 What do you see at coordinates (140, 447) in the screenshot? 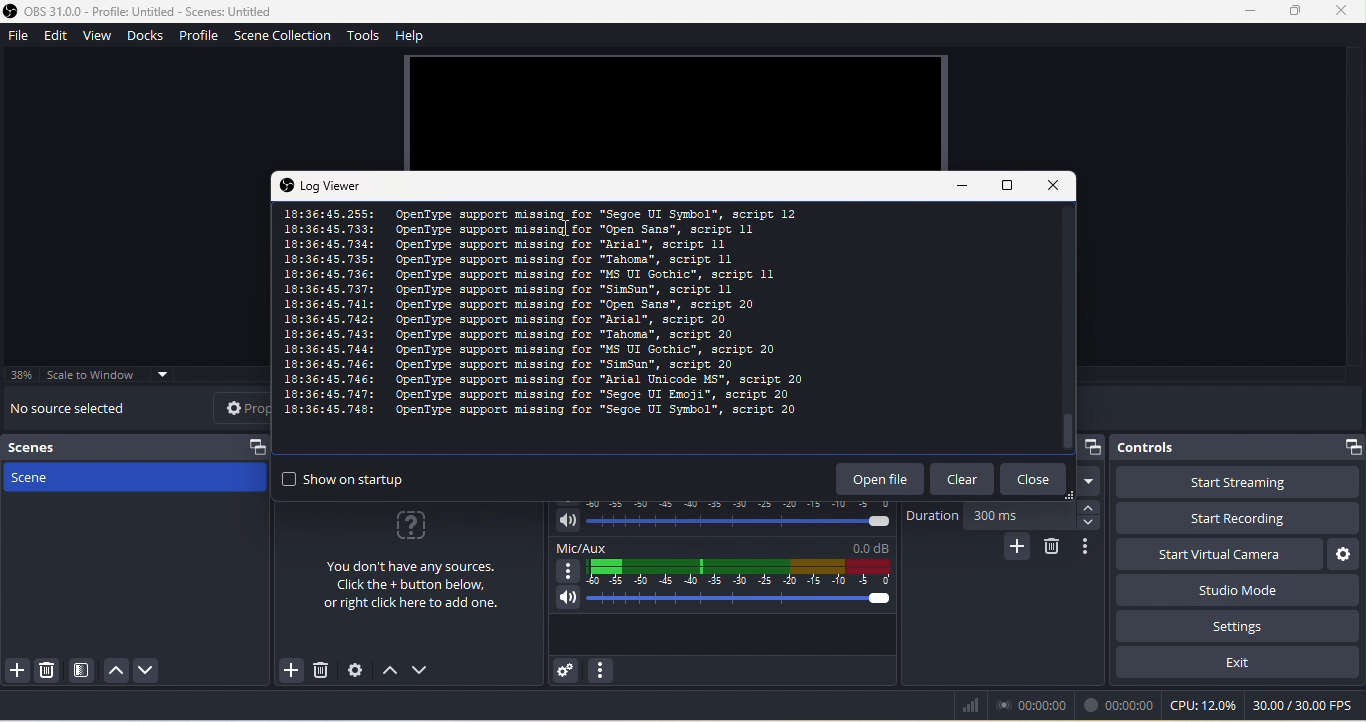
I see `scenes` at bounding box center [140, 447].